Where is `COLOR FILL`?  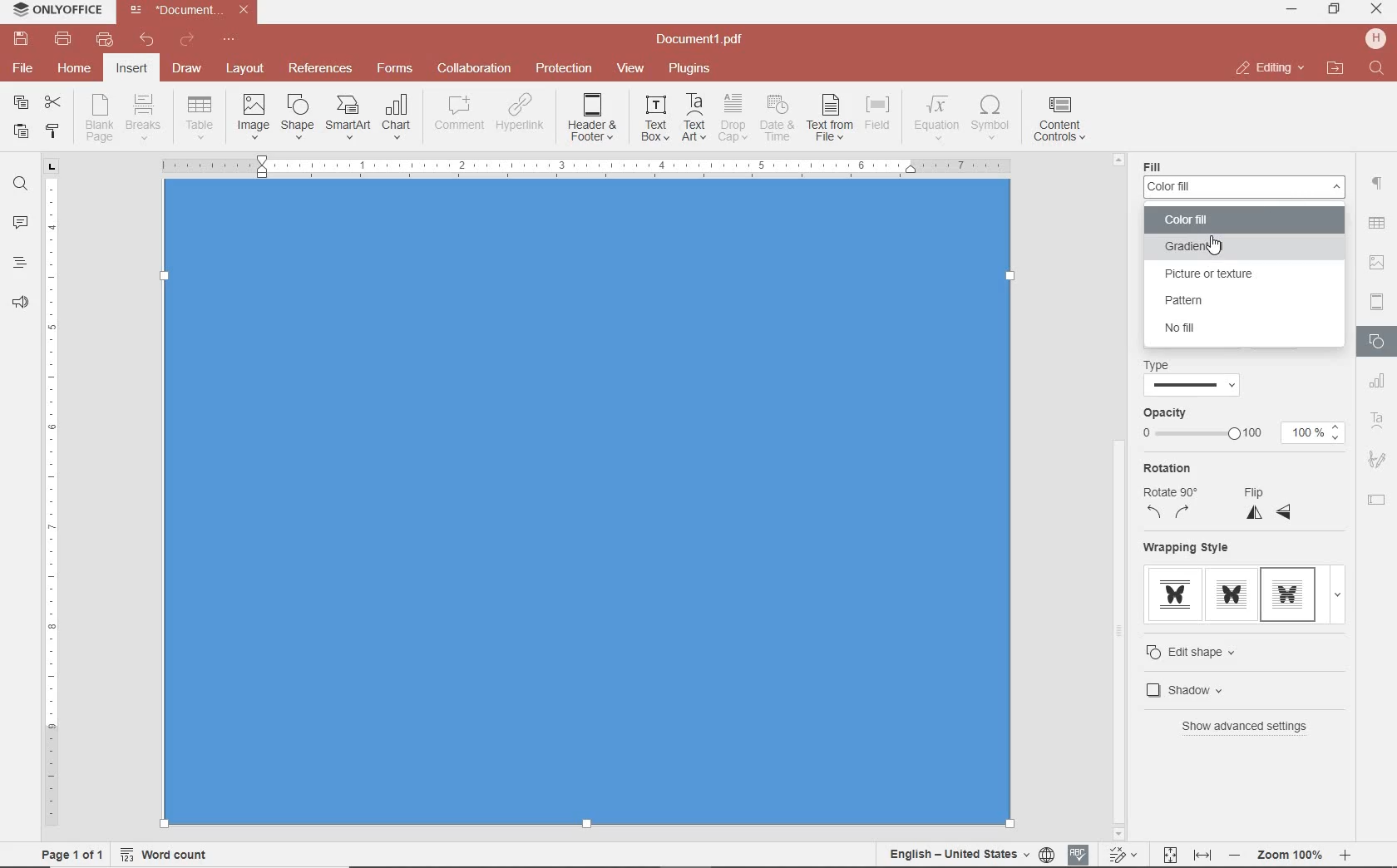 COLOR FILL is located at coordinates (1207, 221).